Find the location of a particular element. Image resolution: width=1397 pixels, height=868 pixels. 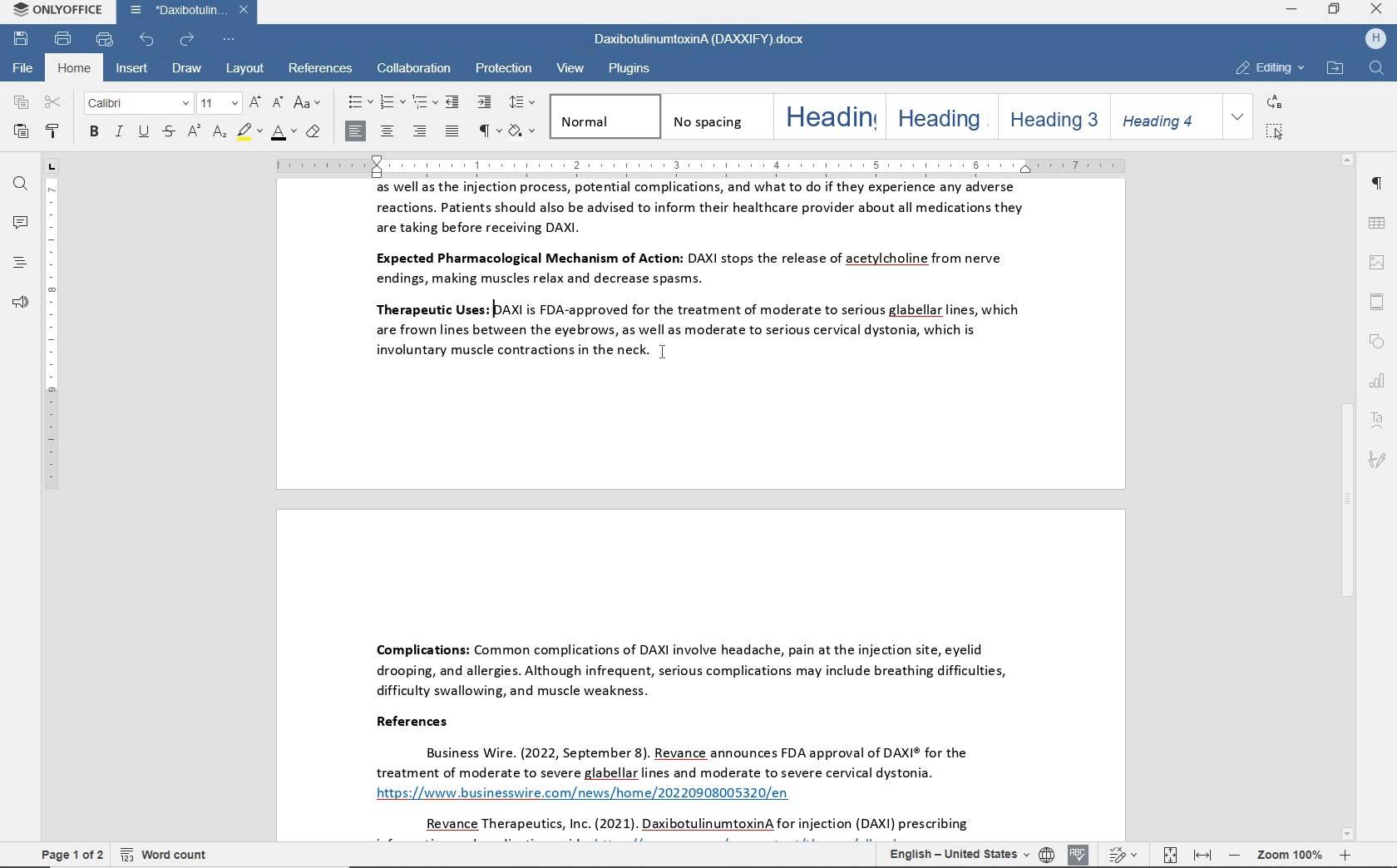

replace is located at coordinates (1272, 101).